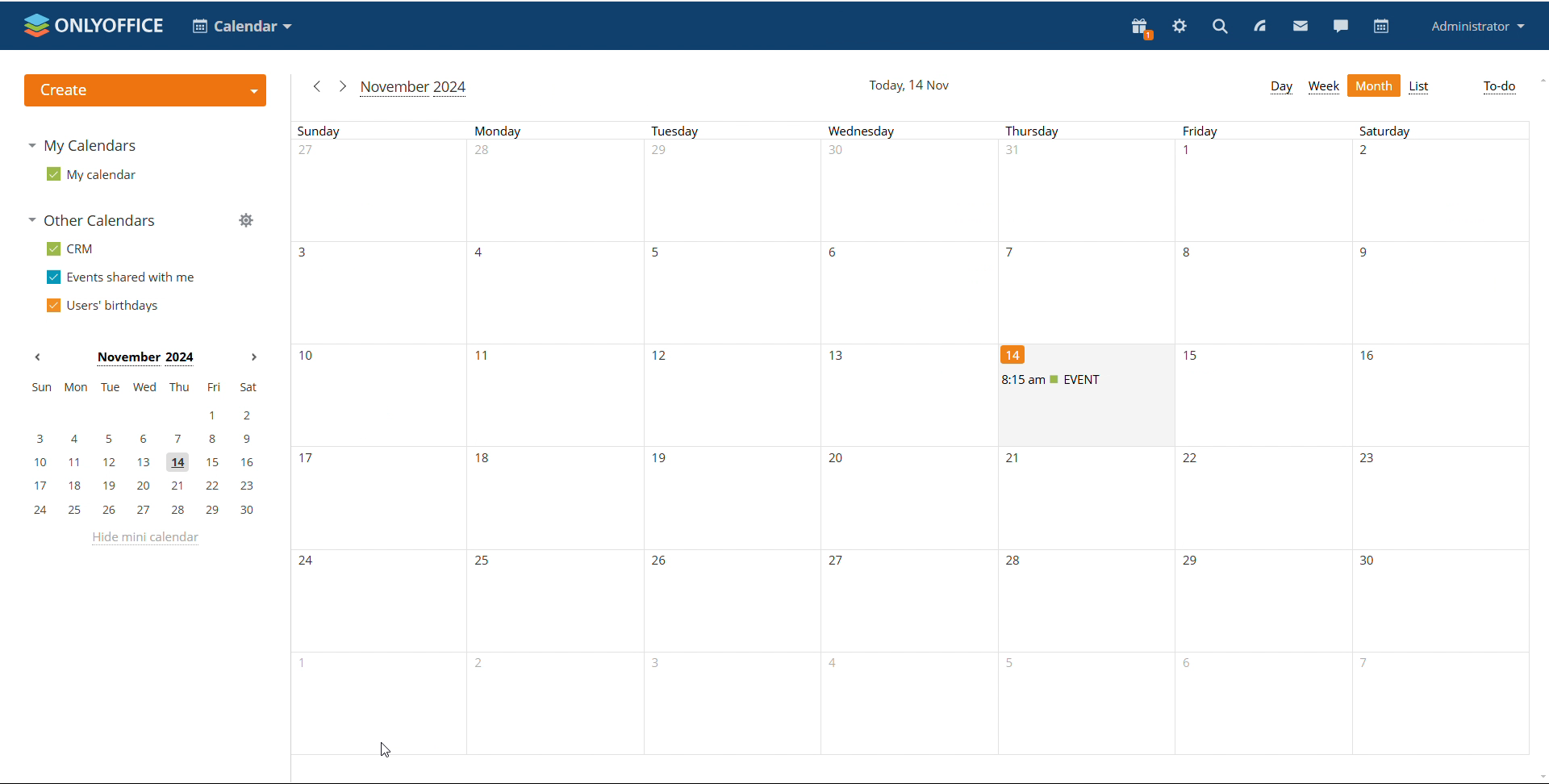  What do you see at coordinates (920, 292) in the screenshot?
I see `3, 4, 5, 6, 7, 8, 9` at bounding box center [920, 292].